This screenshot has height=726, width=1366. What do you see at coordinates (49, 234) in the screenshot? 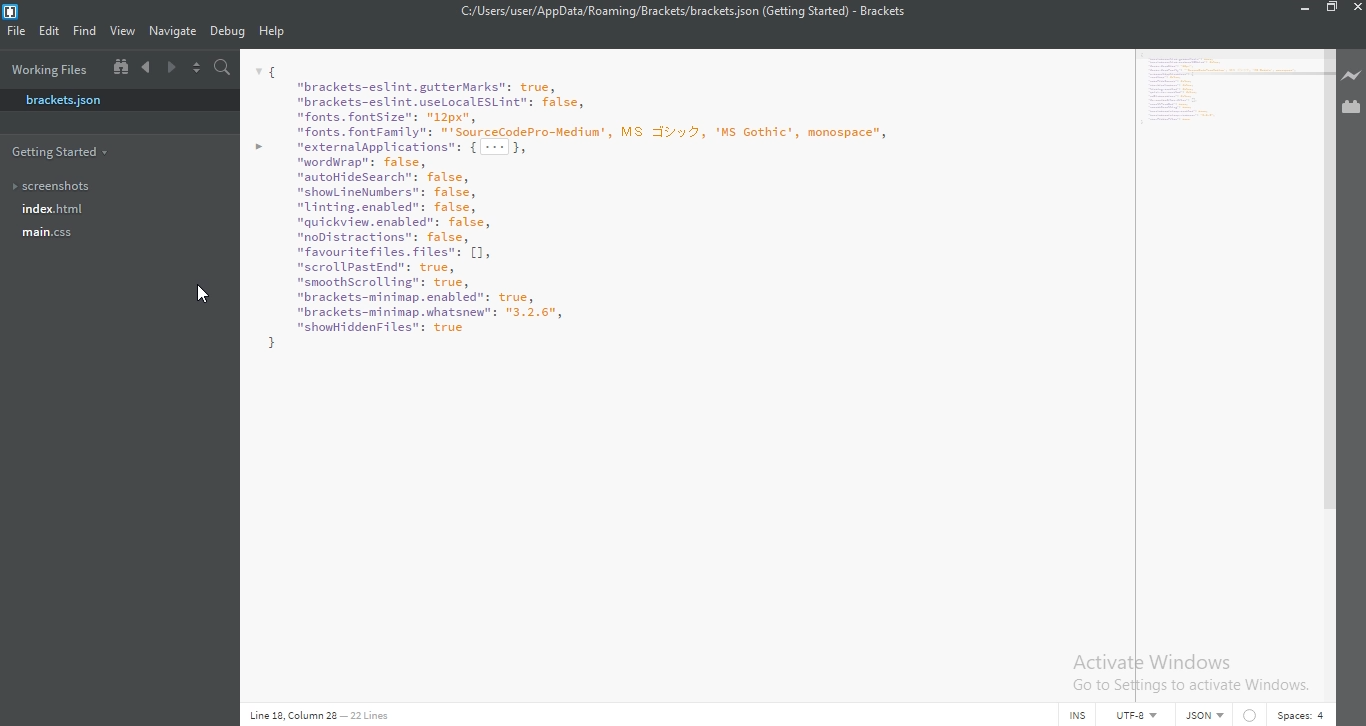
I see `main.css` at bounding box center [49, 234].